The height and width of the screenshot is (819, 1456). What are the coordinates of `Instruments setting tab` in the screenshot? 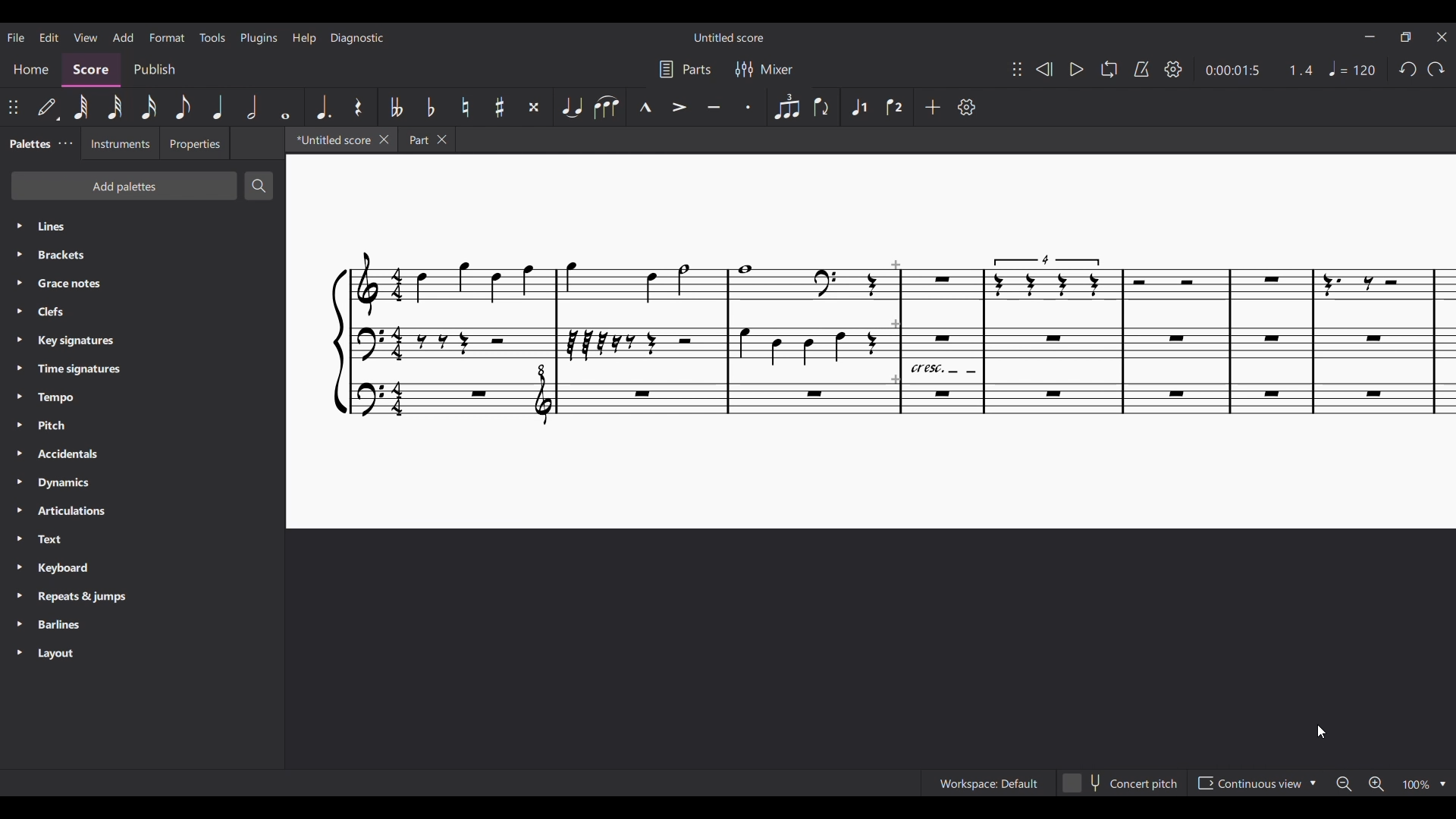 It's located at (119, 143).